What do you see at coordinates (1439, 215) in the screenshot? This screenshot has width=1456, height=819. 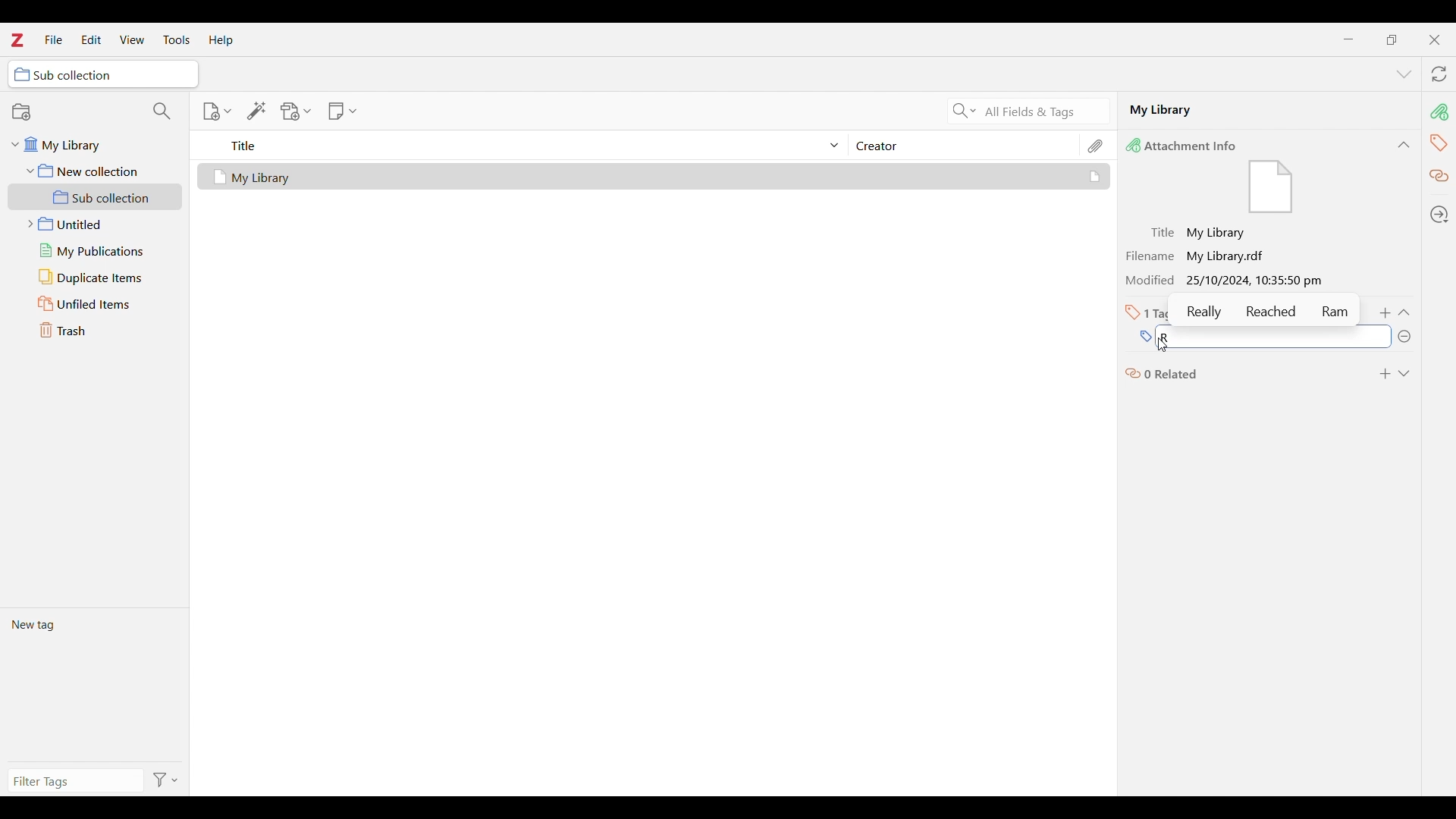 I see `Locate` at bounding box center [1439, 215].